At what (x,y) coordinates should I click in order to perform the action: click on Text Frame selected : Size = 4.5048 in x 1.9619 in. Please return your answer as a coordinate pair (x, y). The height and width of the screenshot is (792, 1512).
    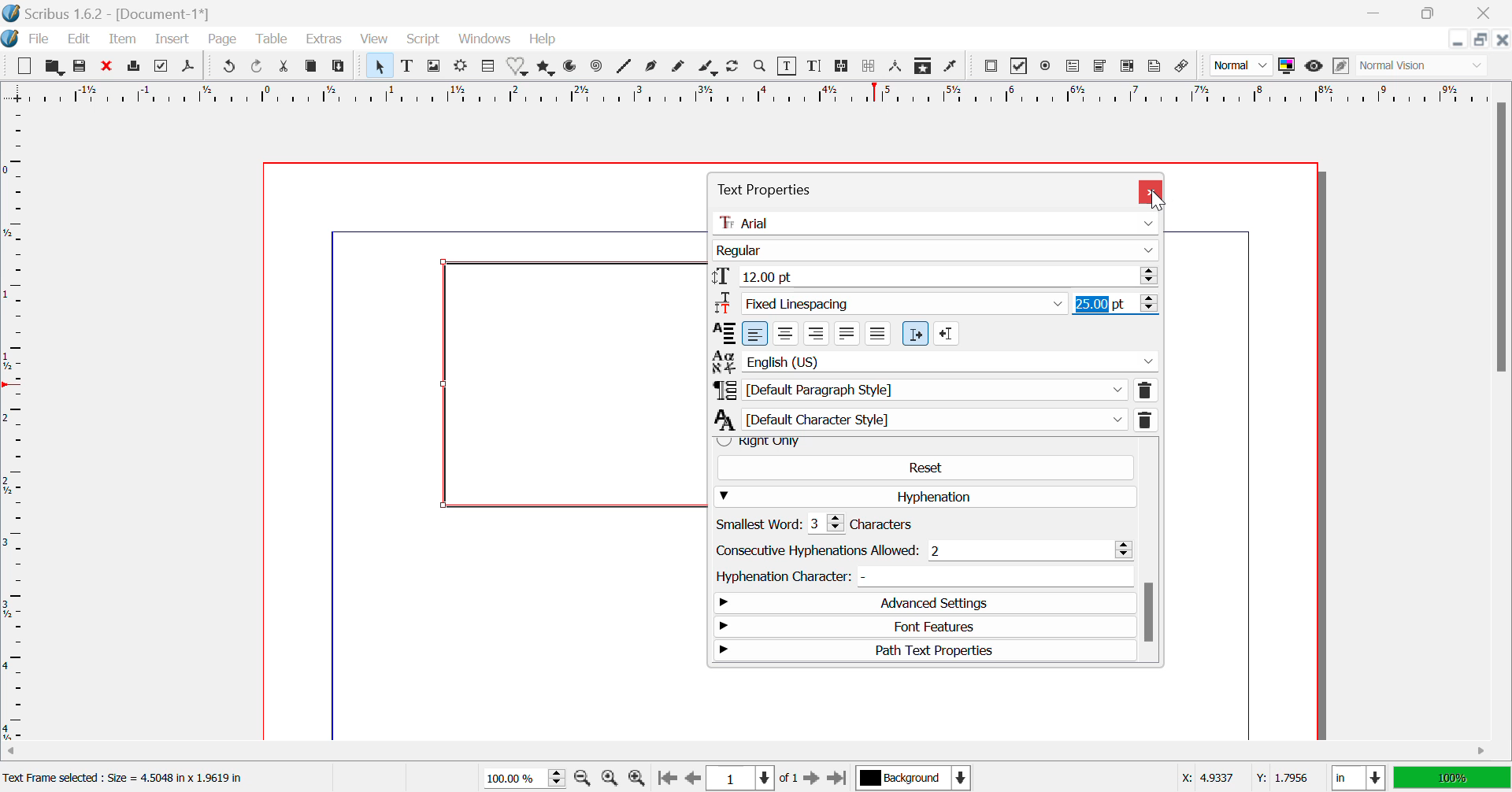
    Looking at the image, I should click on (130, 778).